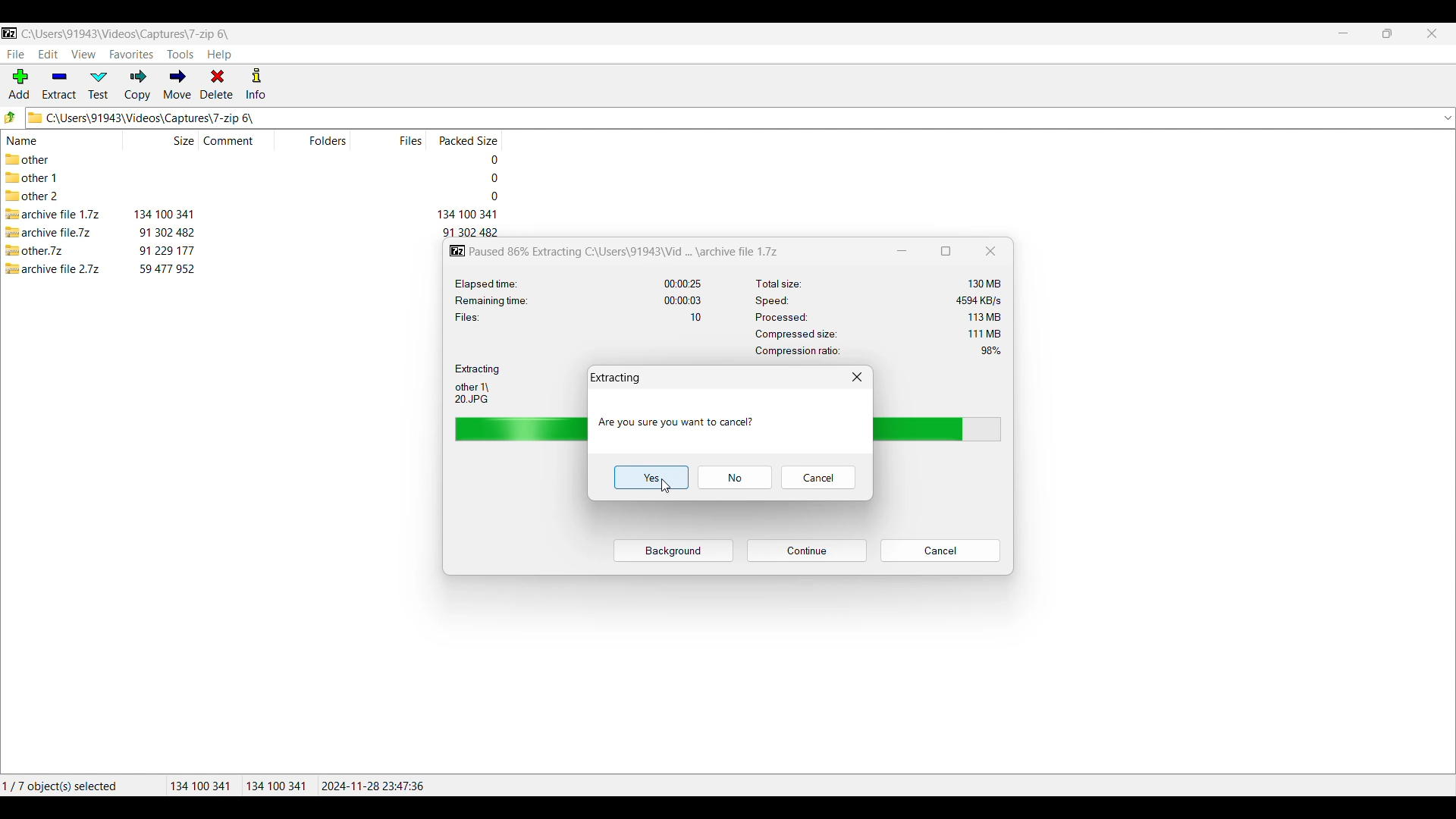 This screenshot has height=819, width=1456. Describe the element at coordinates (177, 84) in the screenshot. I see `Move` at that location.